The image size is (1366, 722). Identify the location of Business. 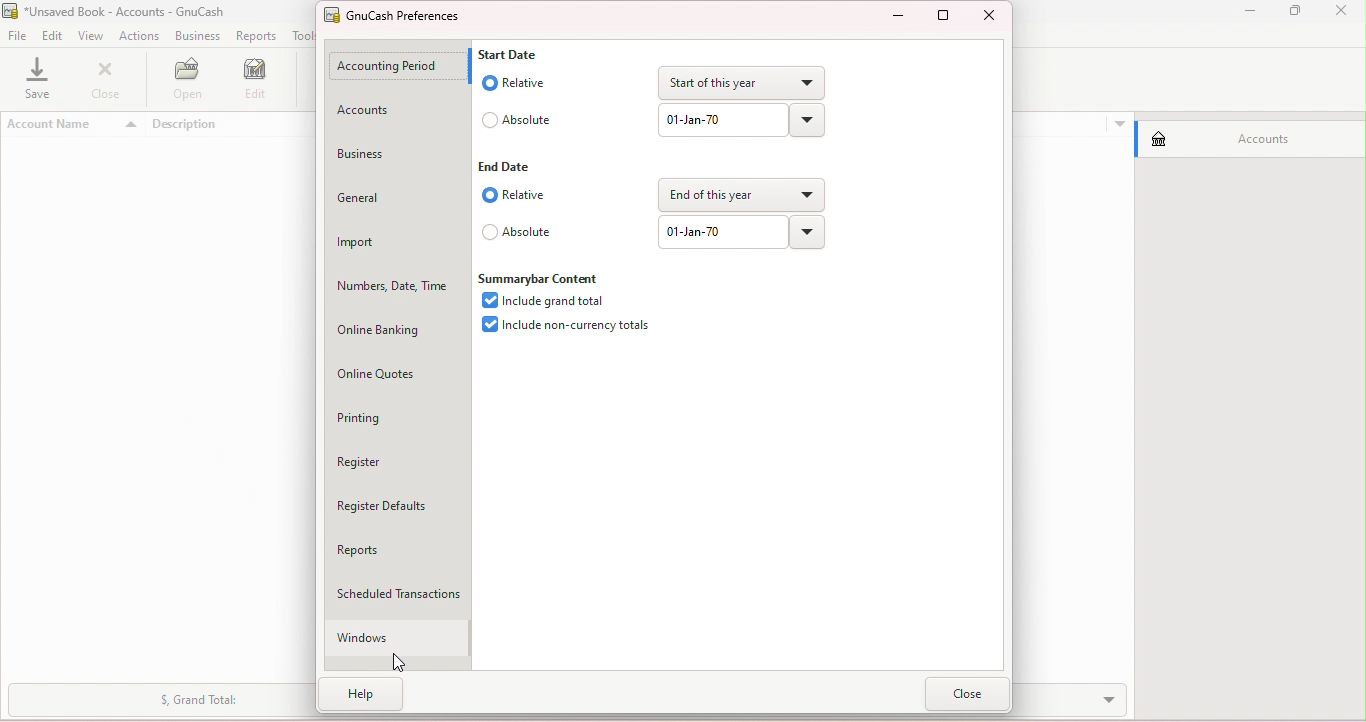
(394, 150).